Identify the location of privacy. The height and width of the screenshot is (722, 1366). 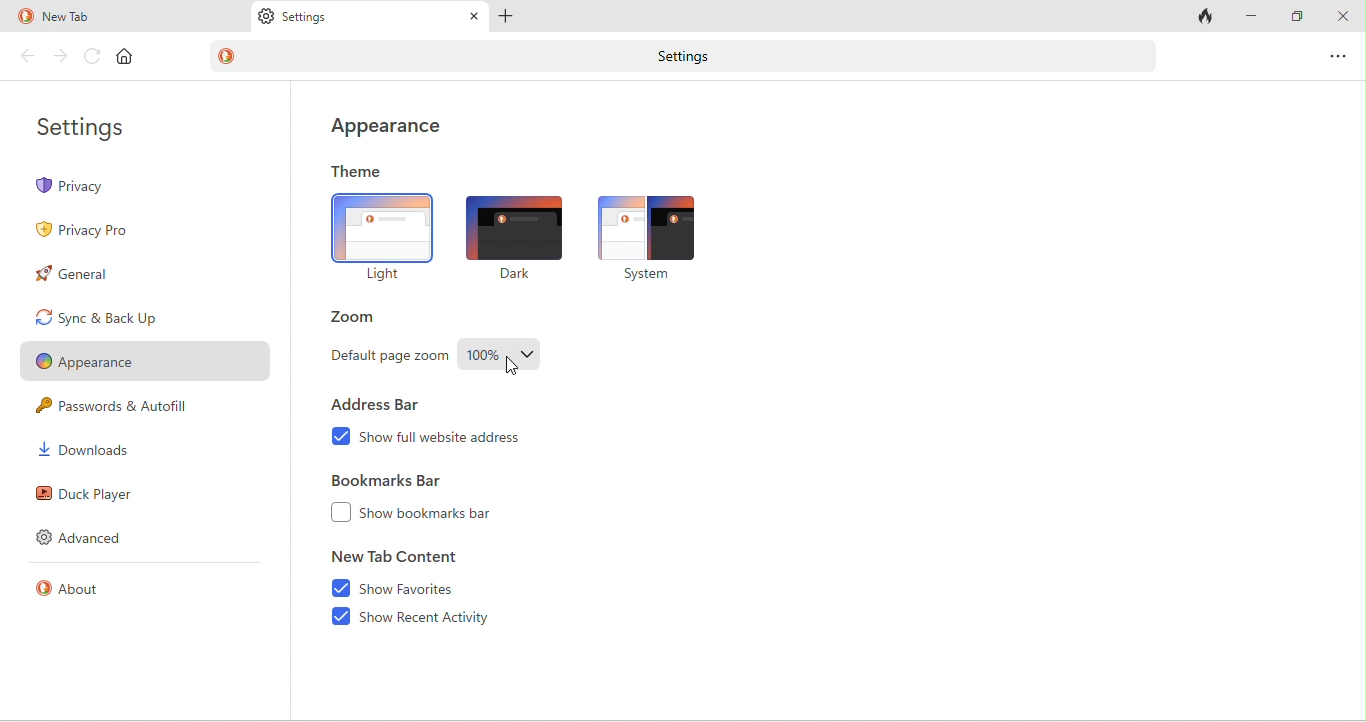
(147, 186).